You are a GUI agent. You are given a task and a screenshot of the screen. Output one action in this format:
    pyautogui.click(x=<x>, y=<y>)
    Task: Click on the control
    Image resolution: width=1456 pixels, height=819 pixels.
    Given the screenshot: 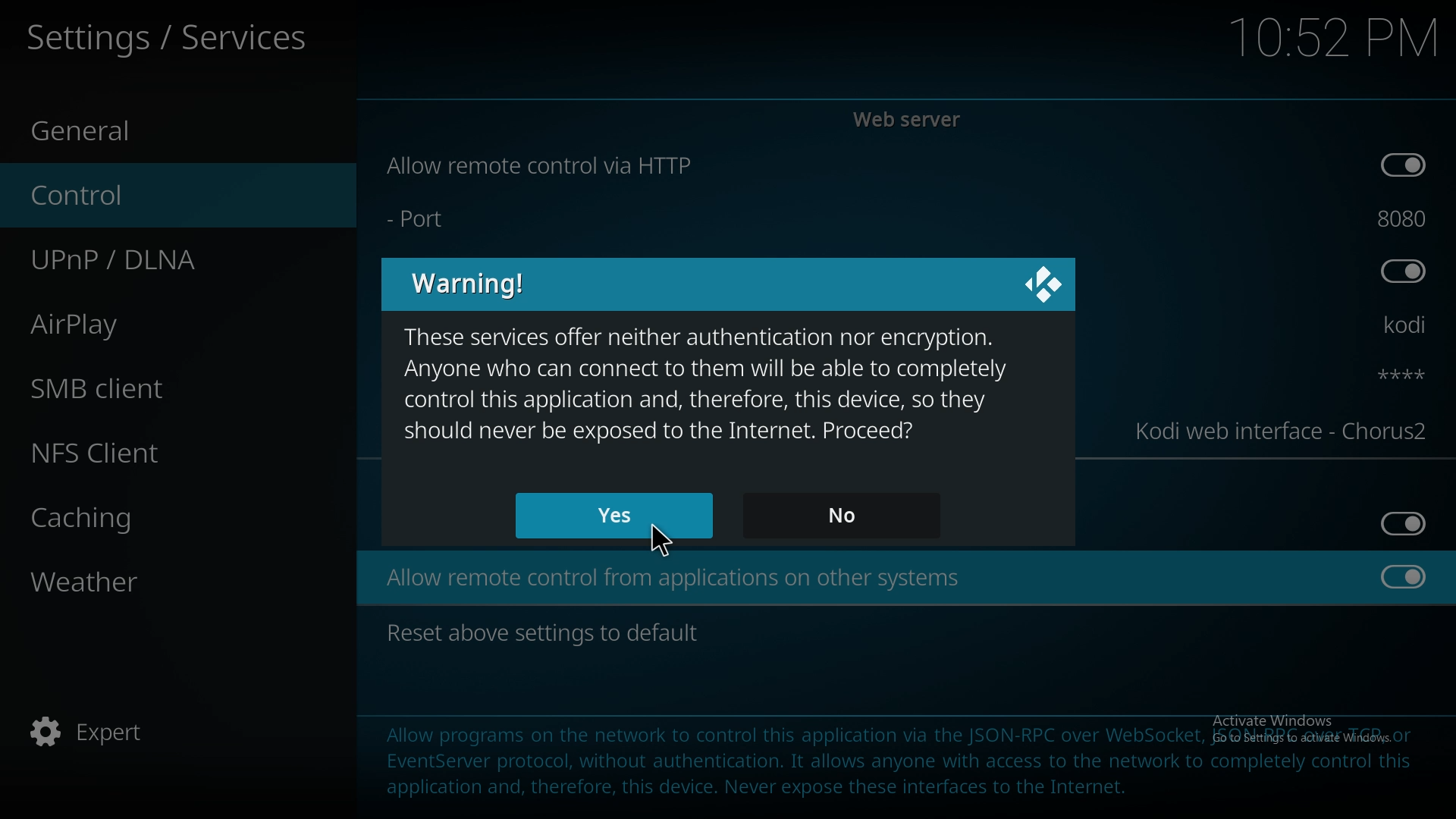 What is the action you would take?
    pyautogui.click(x=155, y=196)
    